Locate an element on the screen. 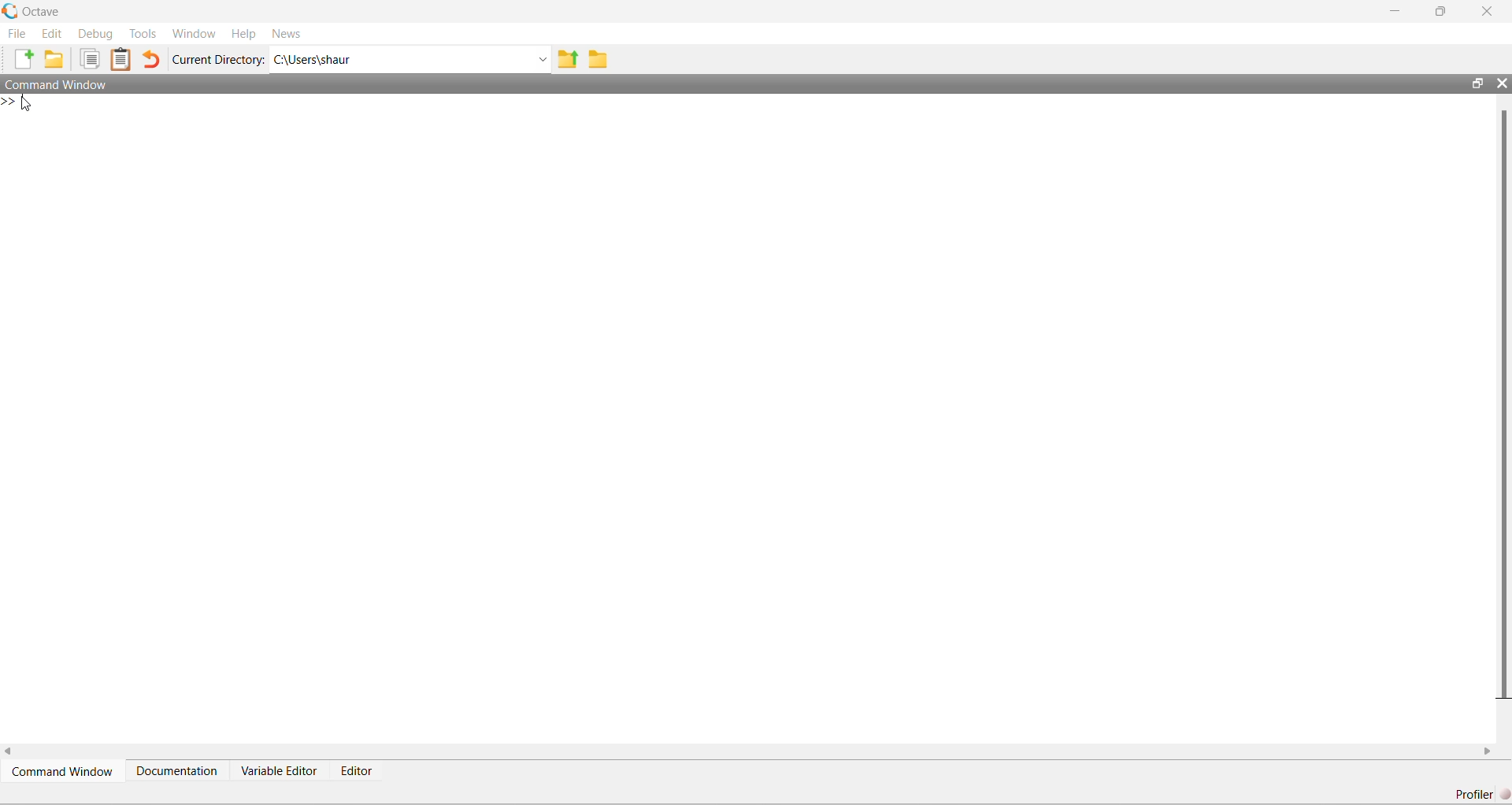 The width and height of the screenshot is (1512, 805). Profiler is located at coordinates (1480, 793).